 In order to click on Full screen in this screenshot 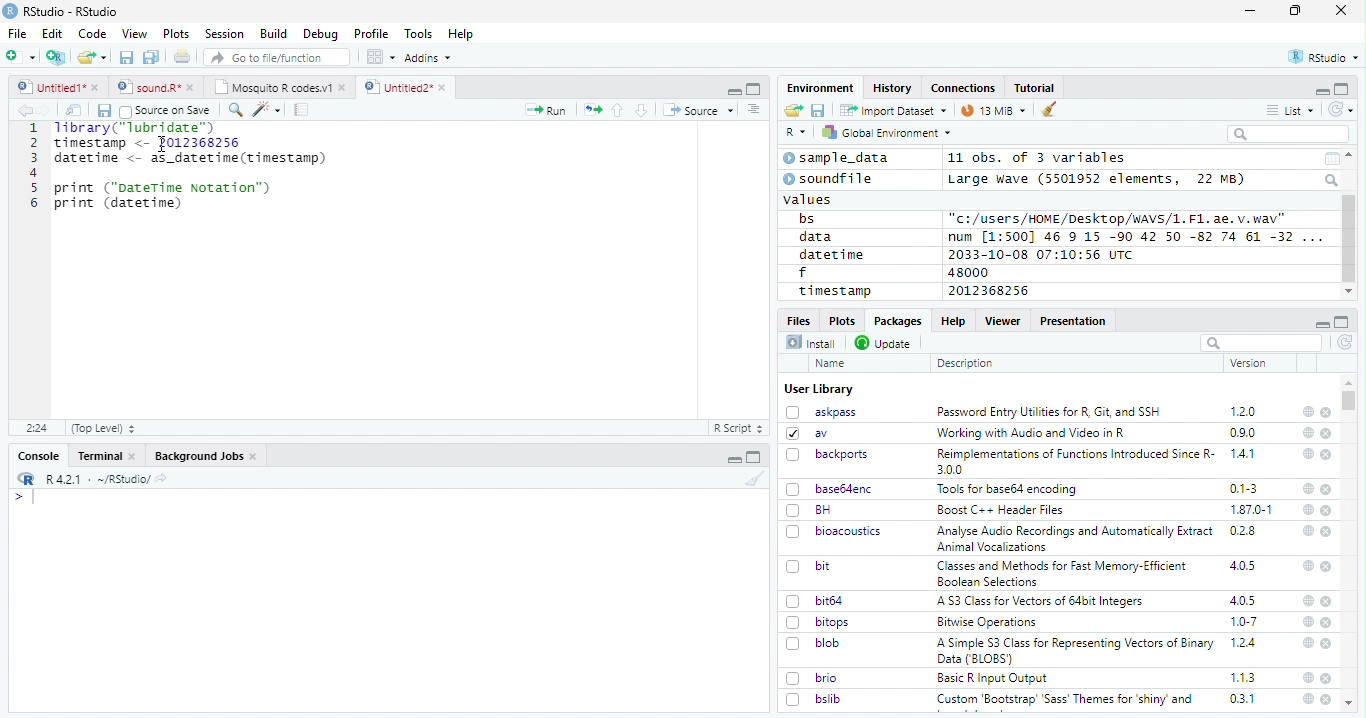, I will do `click(754, 457)`.